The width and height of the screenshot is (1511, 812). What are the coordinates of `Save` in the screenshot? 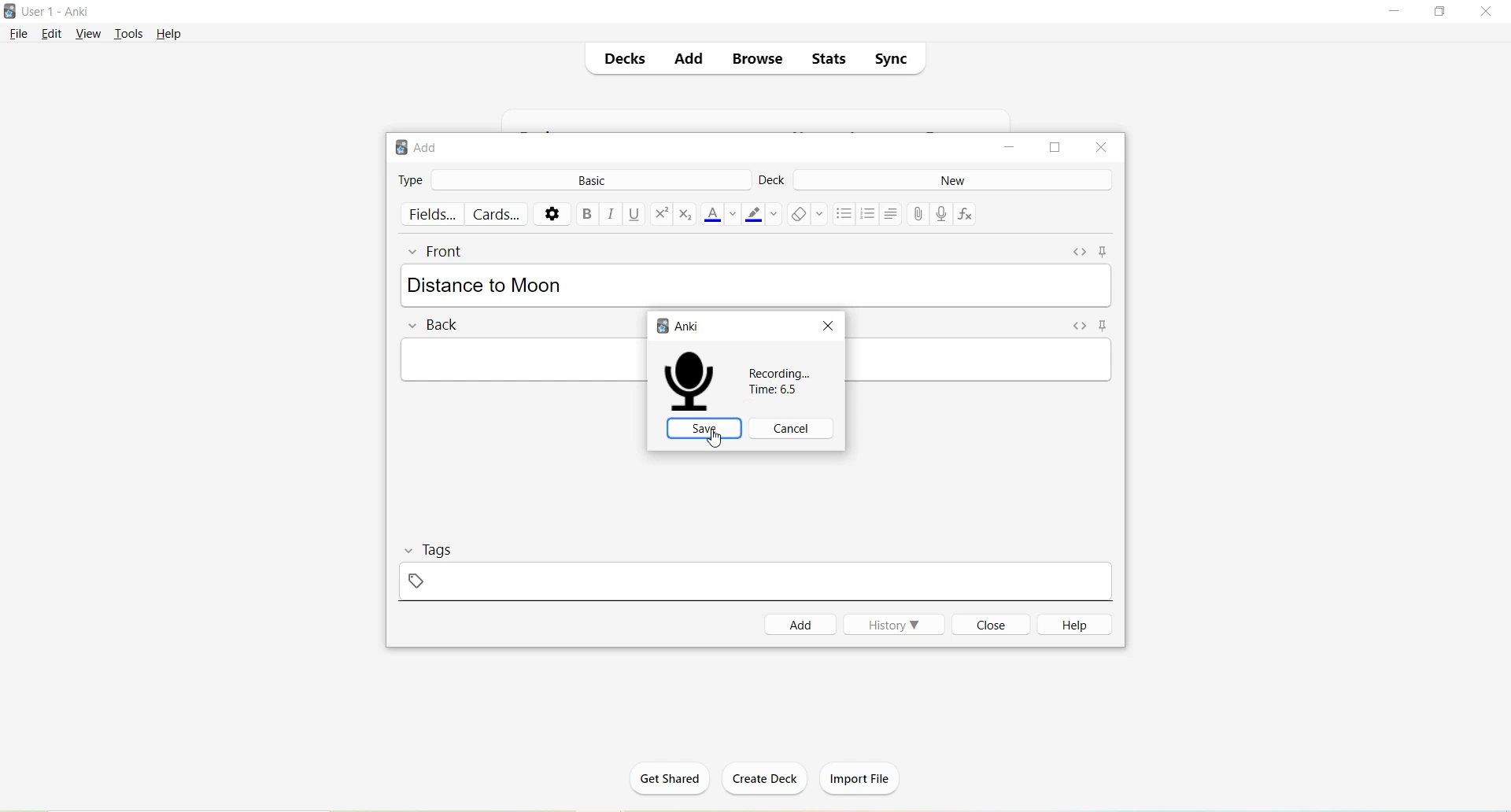 It's located at (704, 428).